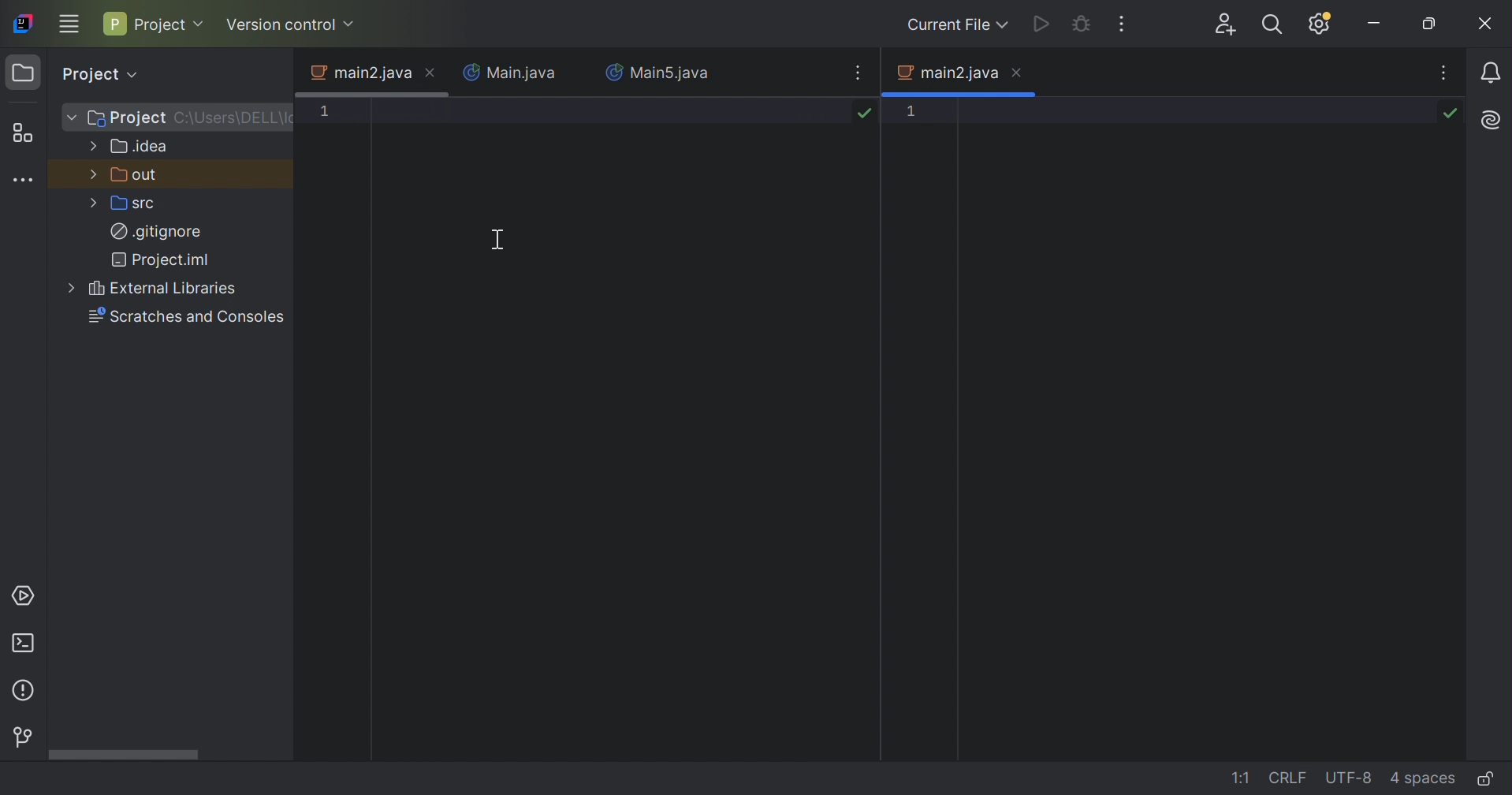  Describe the element at coordinates (71, 24) in the screenshot. I see `Main menu` at that location.